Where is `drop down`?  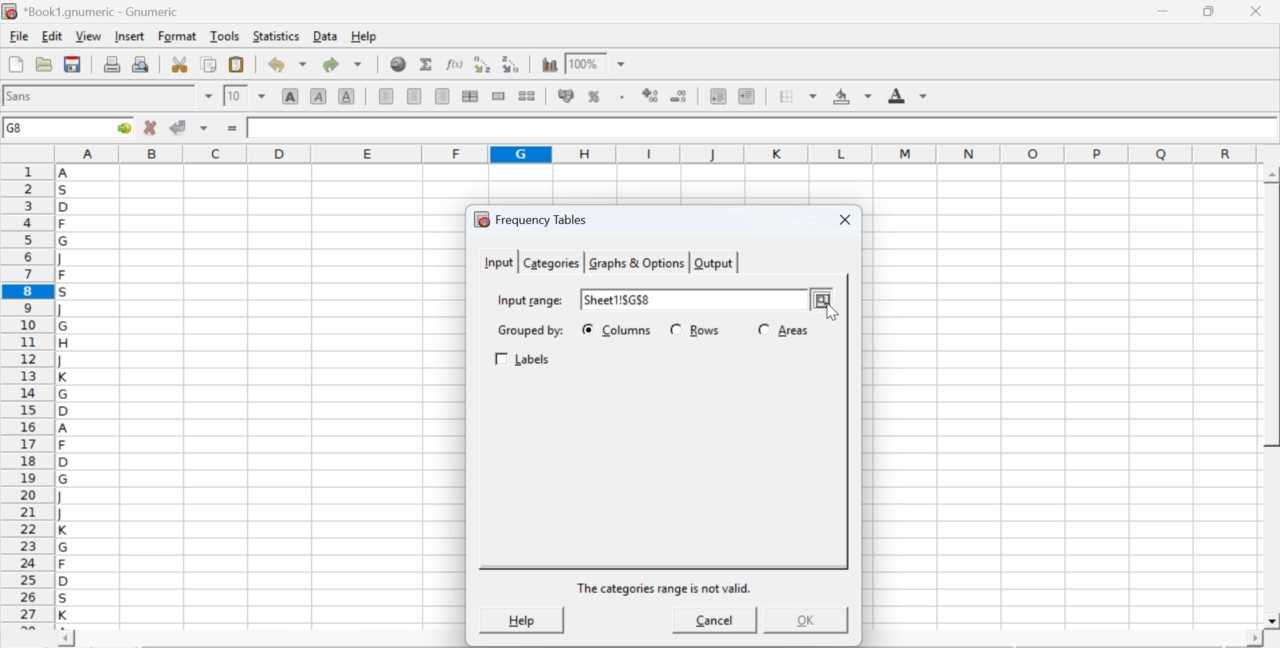
drop down is located at coordinates (210, 96).